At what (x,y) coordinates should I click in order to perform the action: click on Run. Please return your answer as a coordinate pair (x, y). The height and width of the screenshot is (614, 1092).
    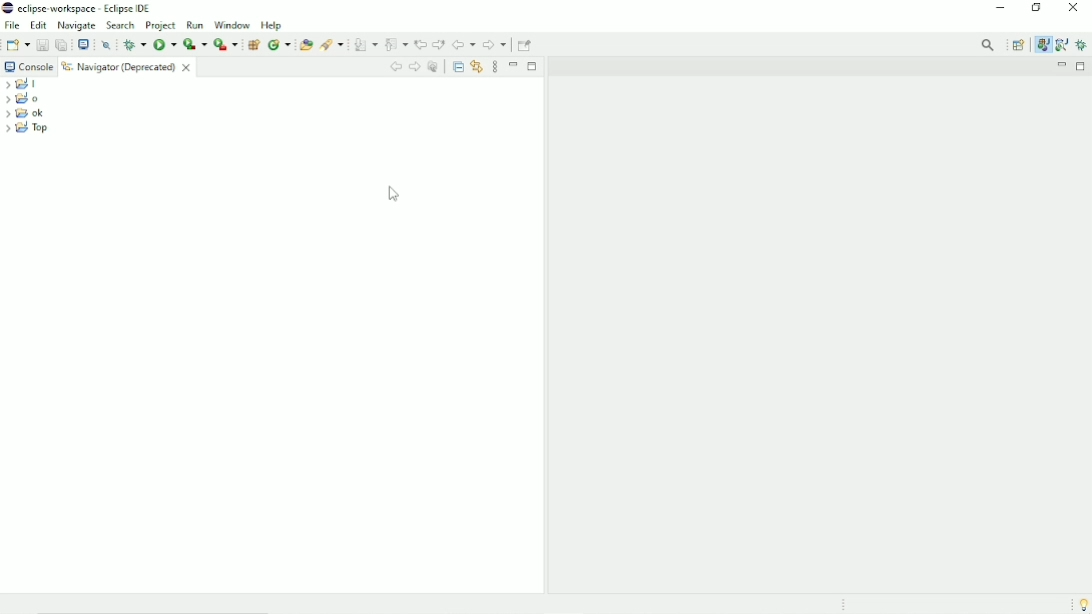
    Looking at the image, I should click on (164, 44).